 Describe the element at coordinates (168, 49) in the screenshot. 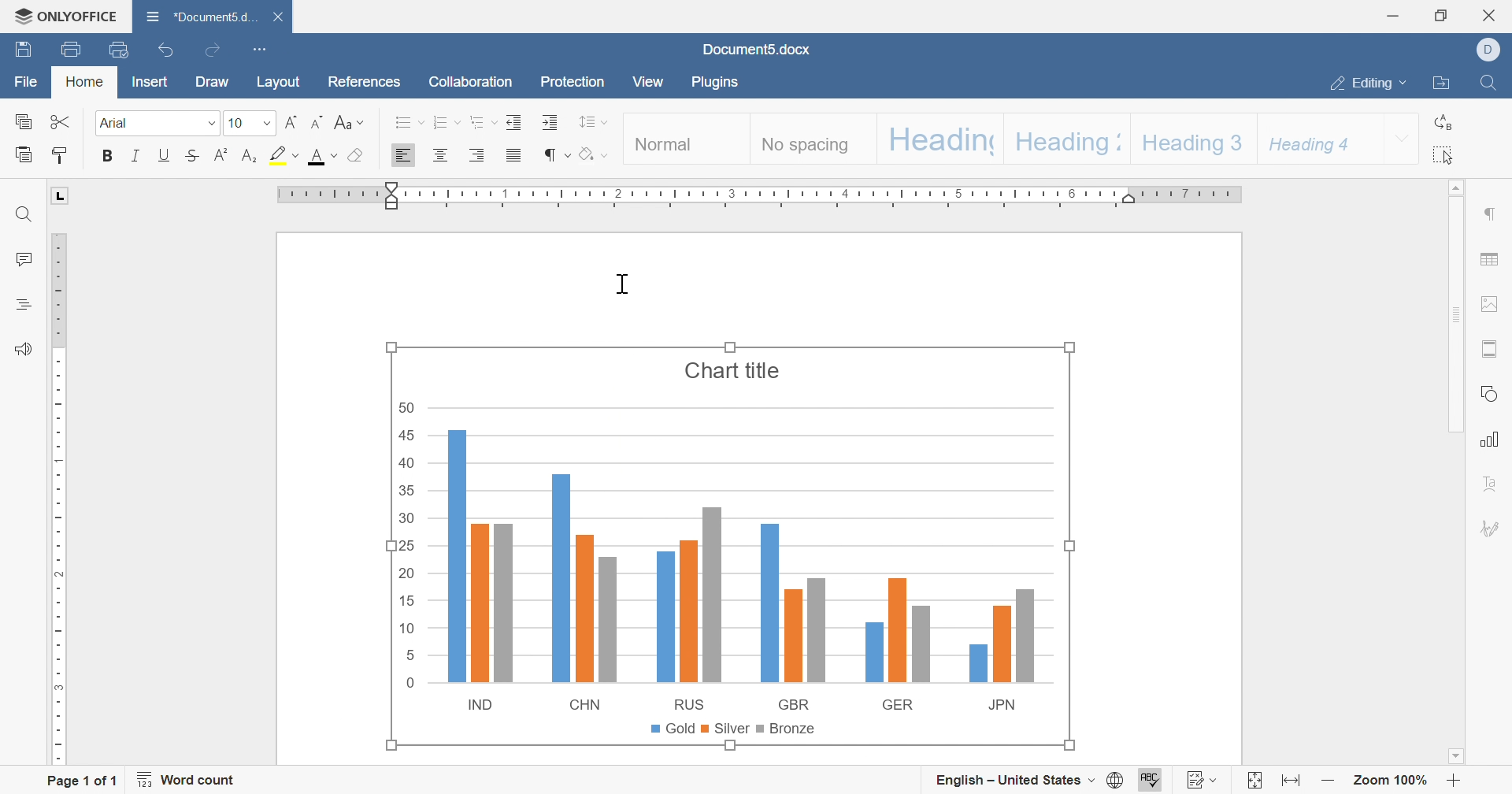

I see `undo` at that location.